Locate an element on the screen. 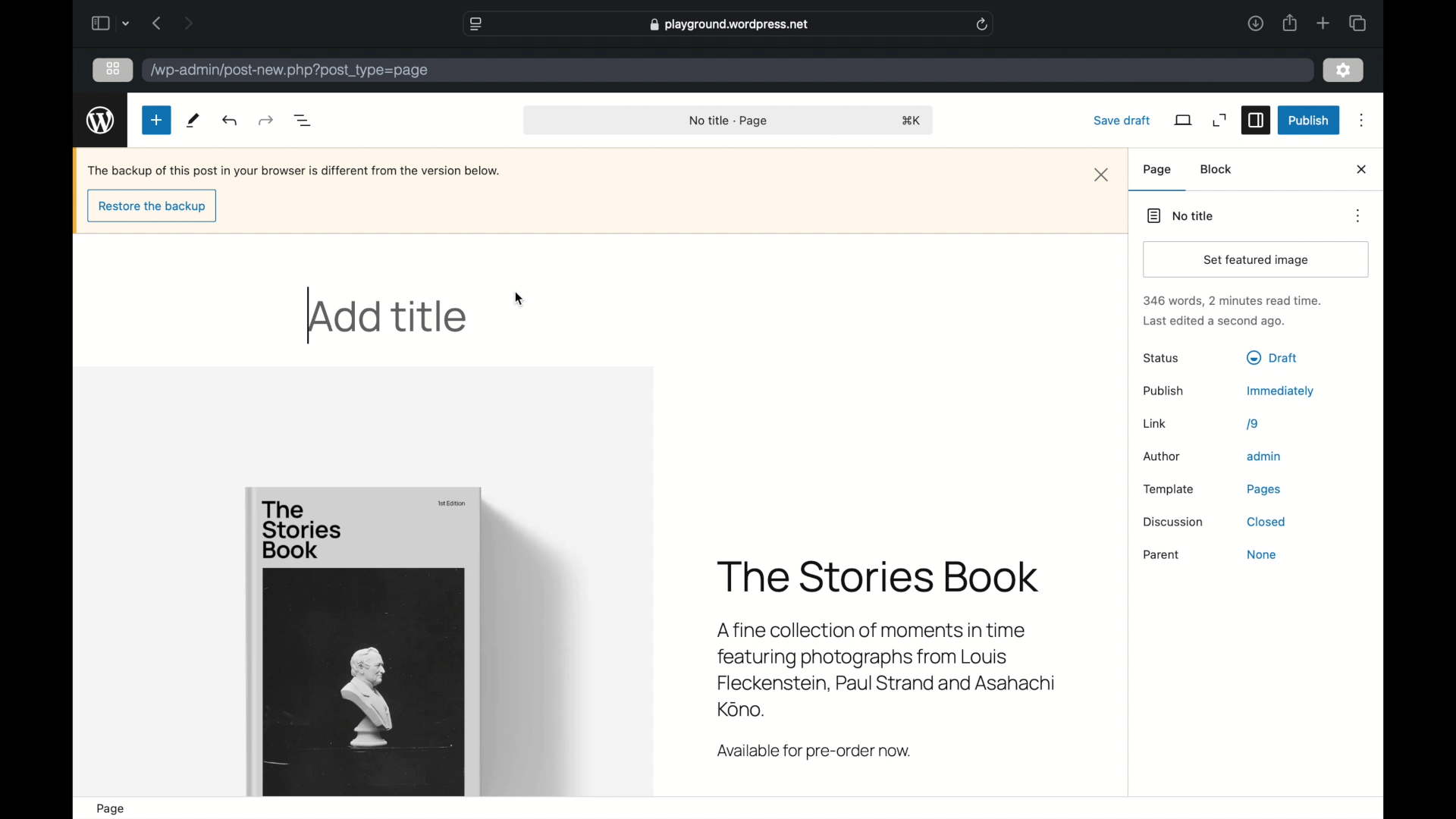  downloads is located at coordinates (1256, 23).